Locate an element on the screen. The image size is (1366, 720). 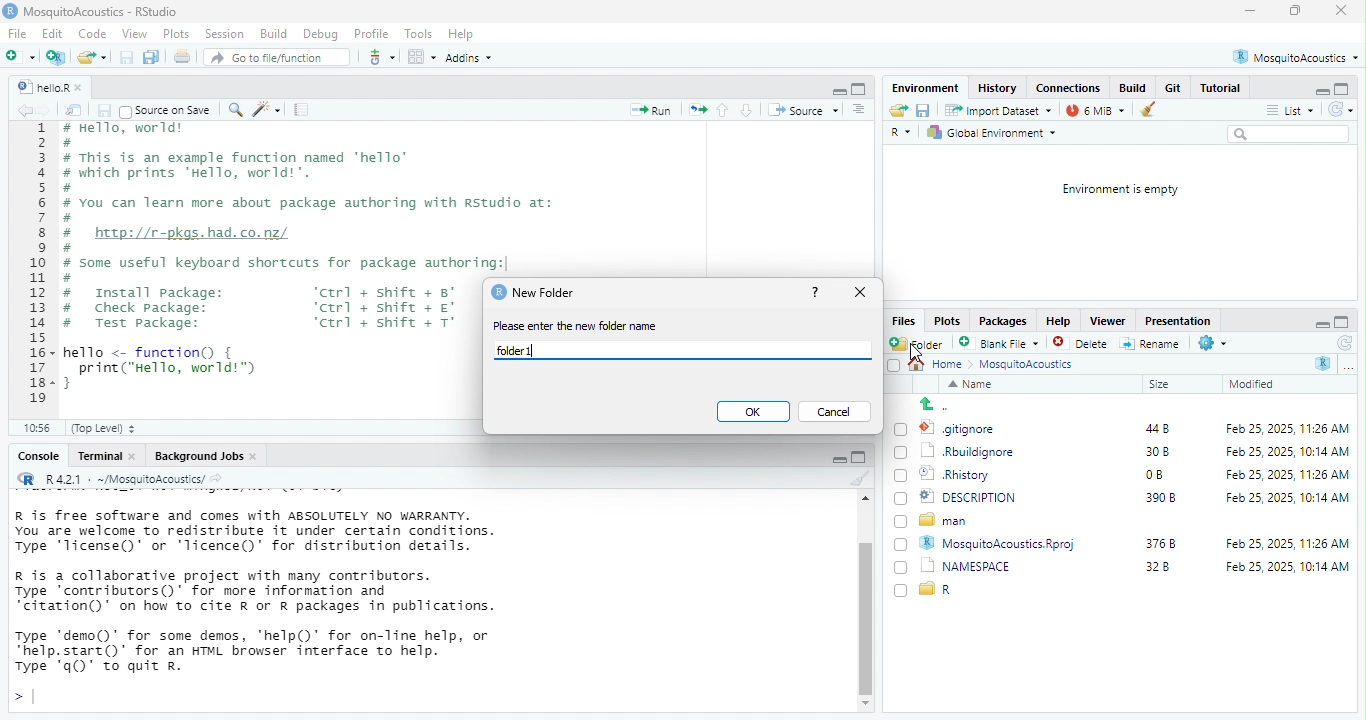
typing cursor is located at coordinates (540, 353).